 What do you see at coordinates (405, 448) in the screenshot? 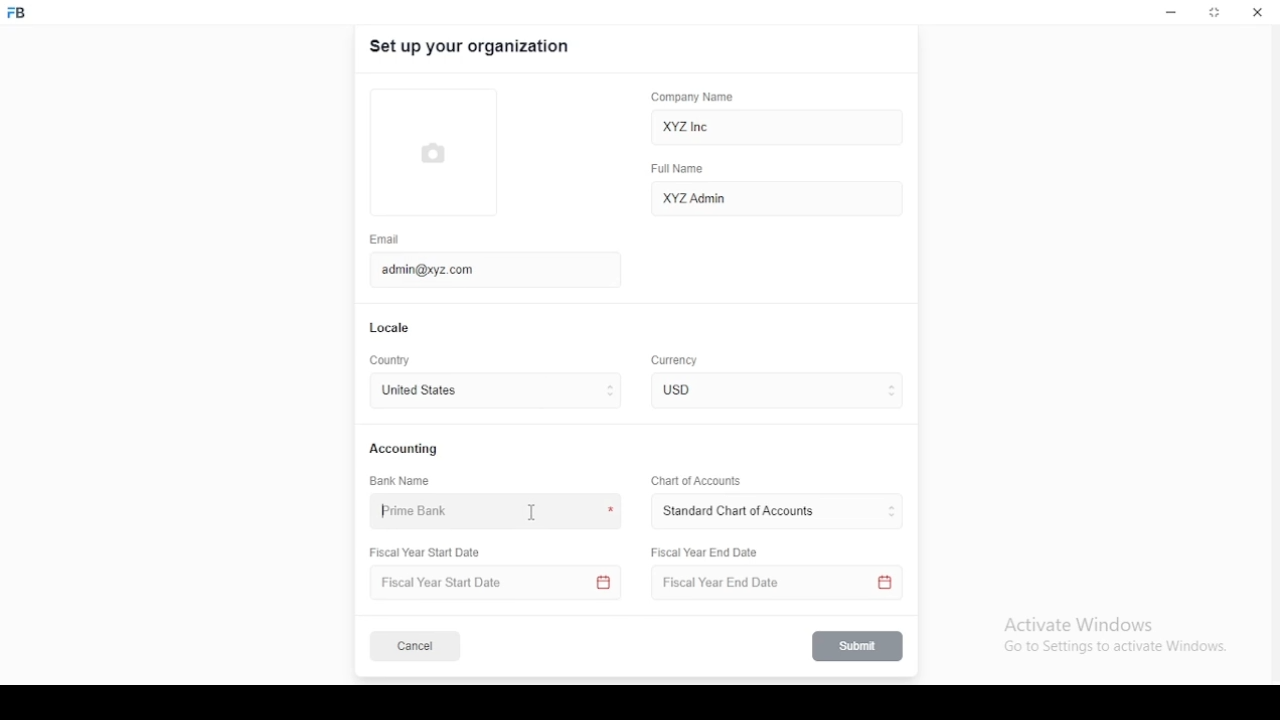
I see `accounting` at bounding box center [405, 448].